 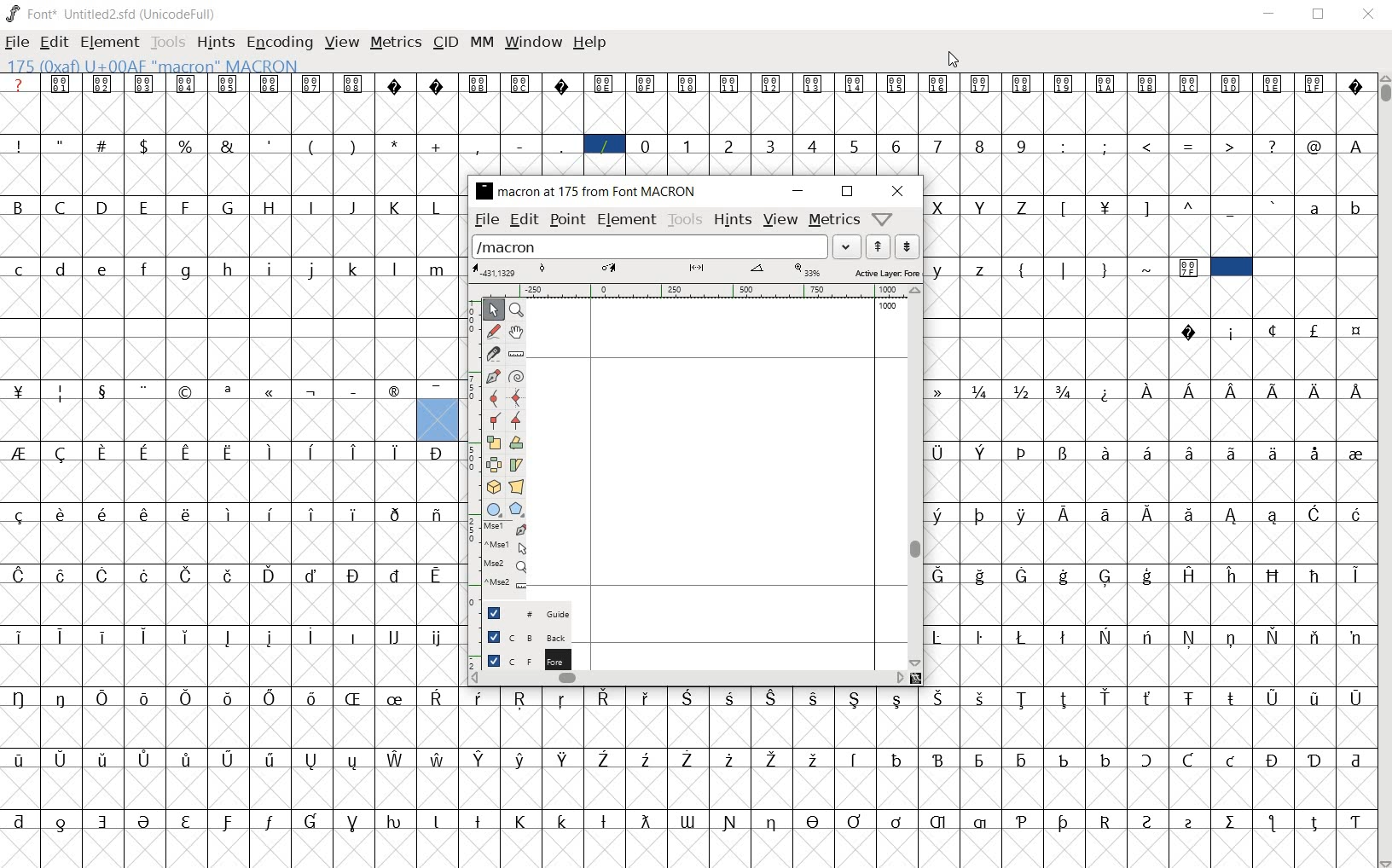 I want to click on Symbol, so click(x=146, y=84).